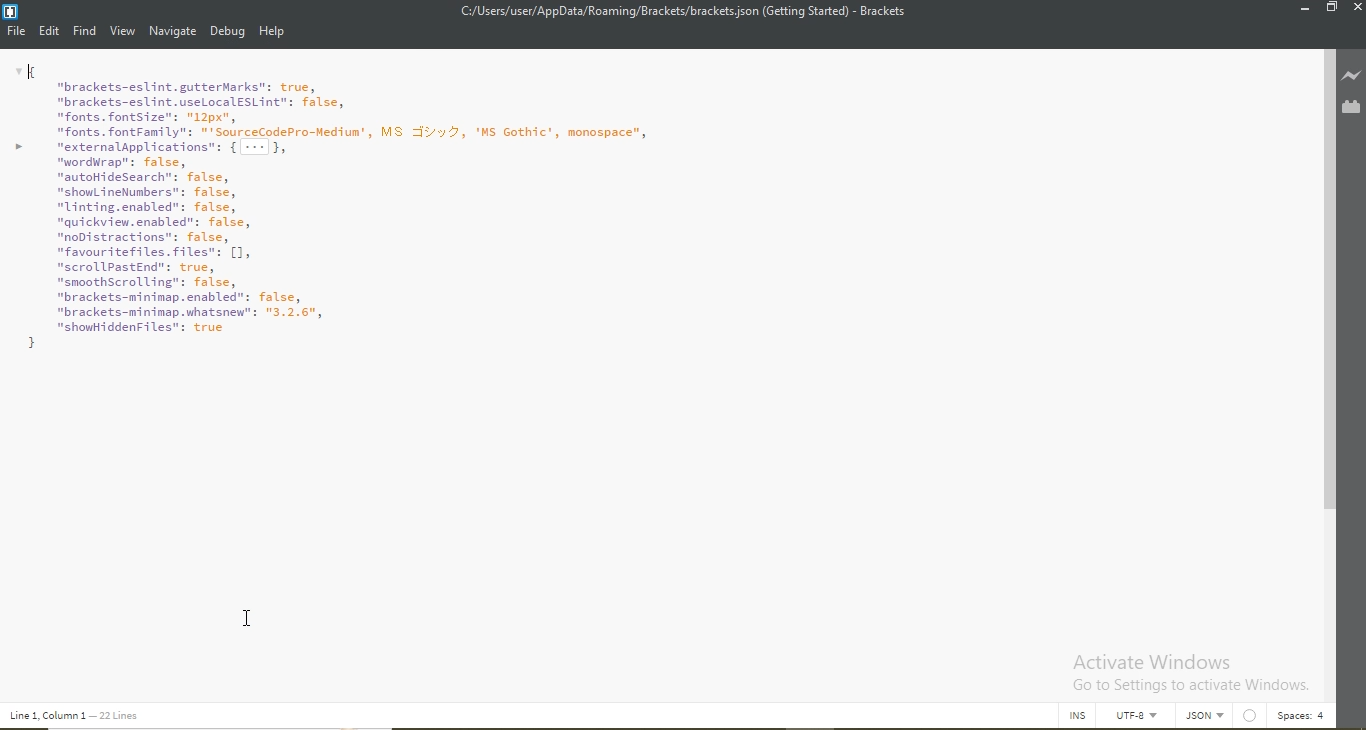 The image size is (1366, 730). What do you see at coordinates (681, 11) in the screenshot?
I see `File name` at bounding box center [681, 11].